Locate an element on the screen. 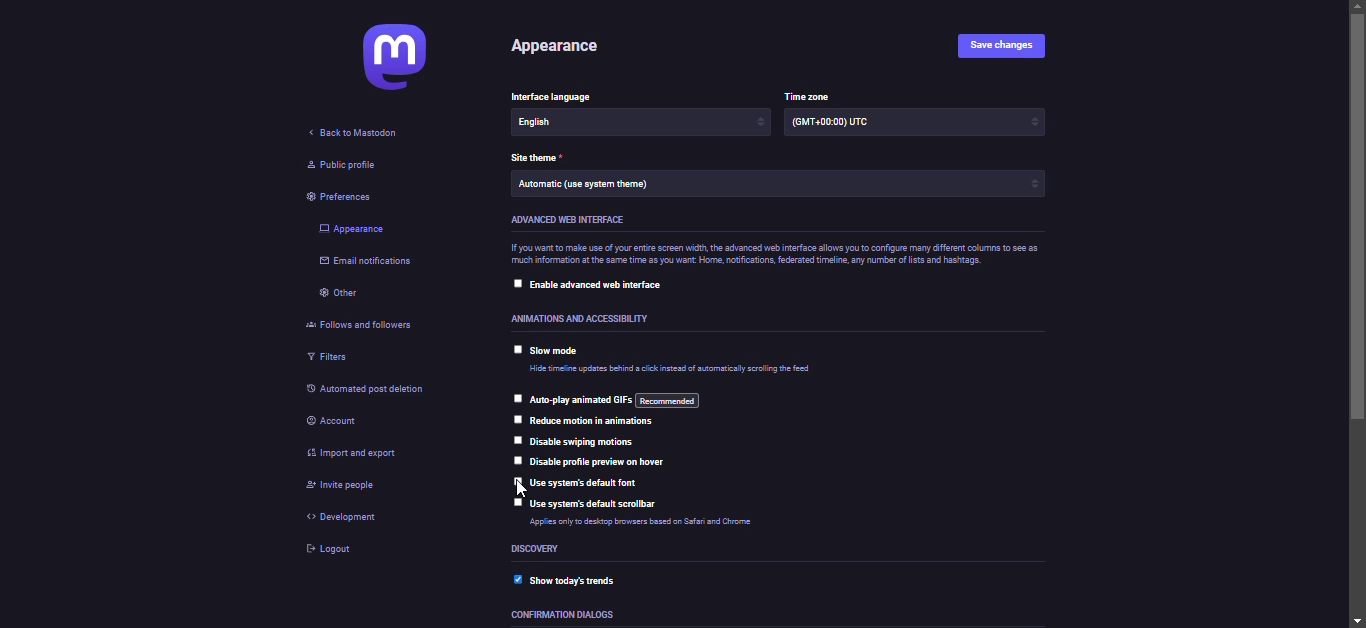  follows and followers is located at coordinates (368, 326).